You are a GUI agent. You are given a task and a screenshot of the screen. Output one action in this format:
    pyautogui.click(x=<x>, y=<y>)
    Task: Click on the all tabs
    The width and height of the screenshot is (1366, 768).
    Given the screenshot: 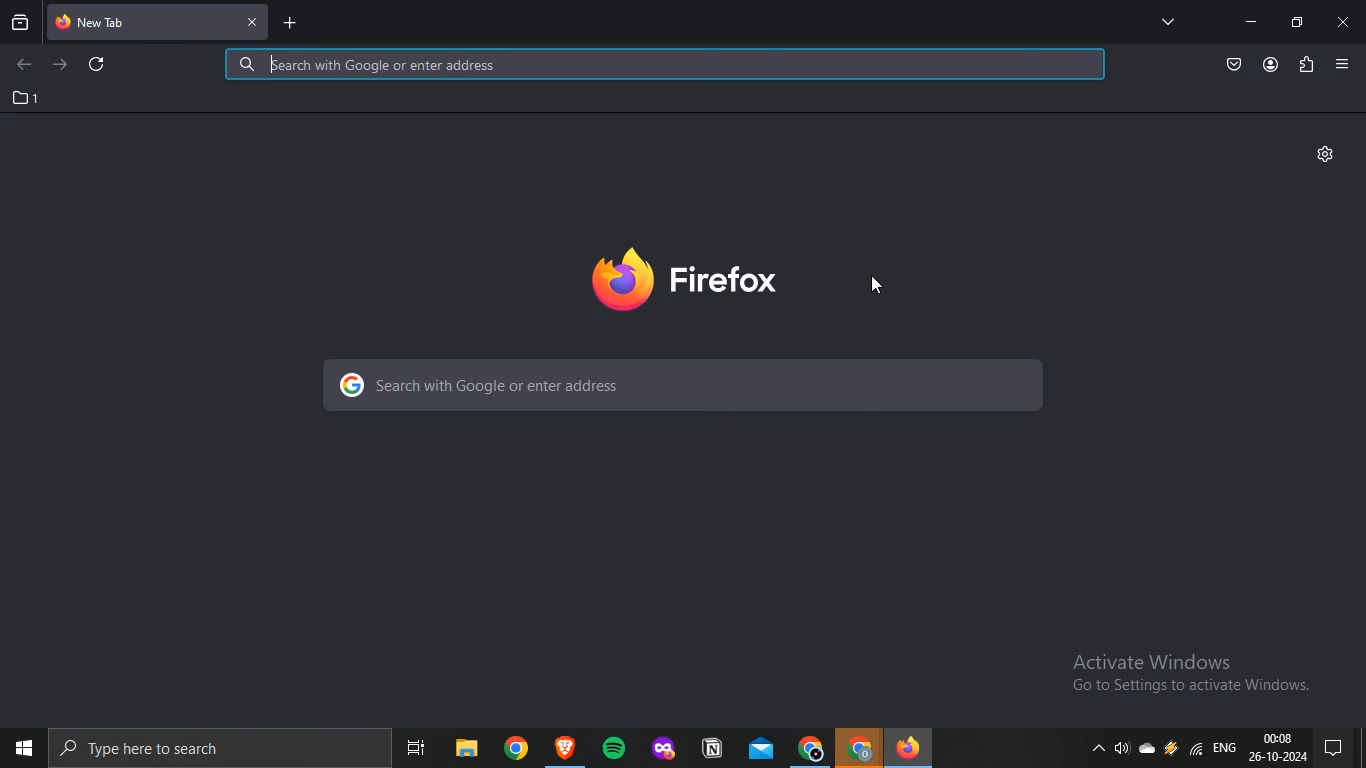 What is the action you would take?
    pyautogui.click(x=1168, y=21)
    